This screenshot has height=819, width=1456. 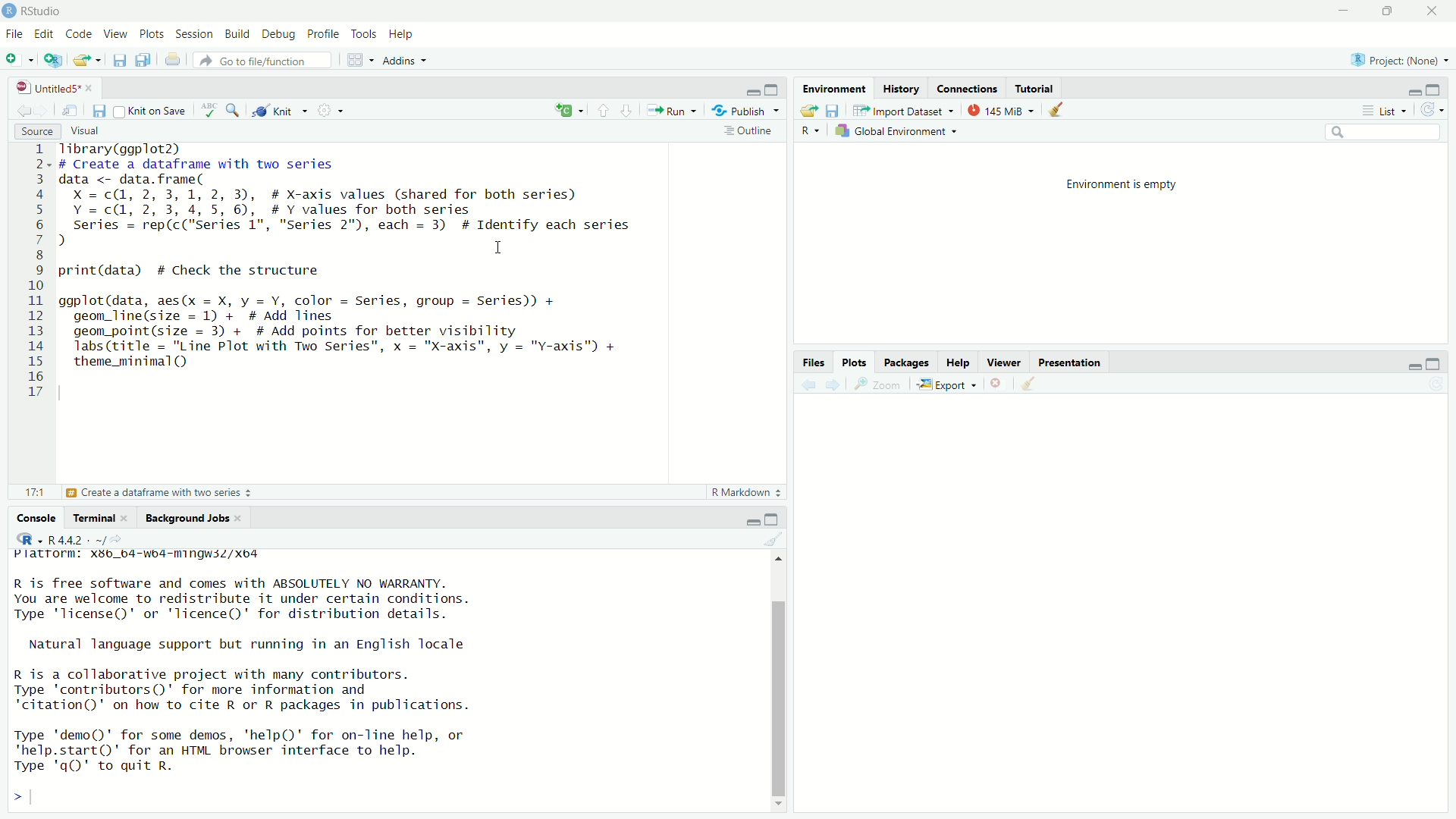 What do you see at coordinates (956, 362) in the screenshot?
I see `Help` at bounding box center [956, 362].